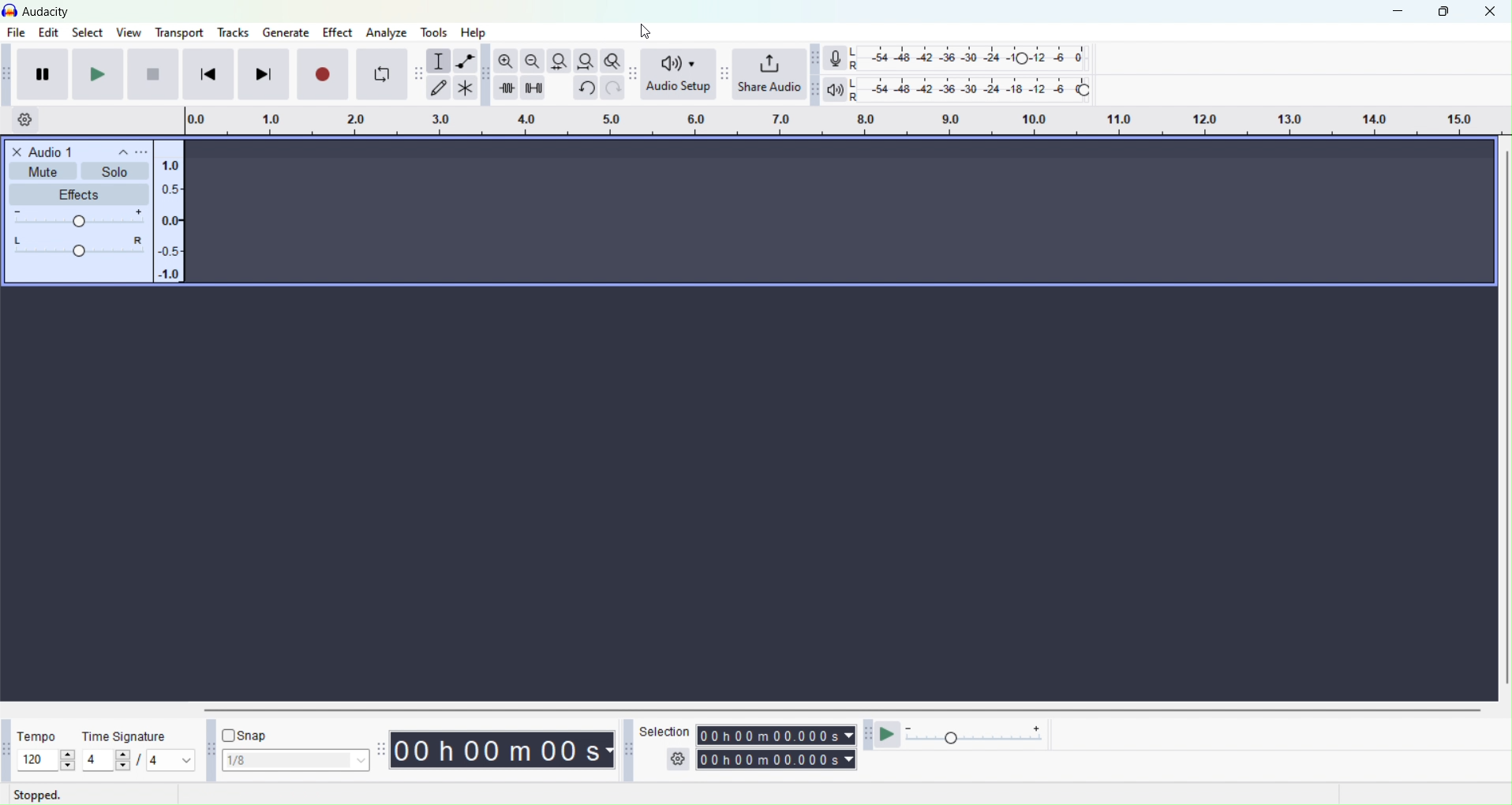 The image size is (1512, 805). What do you see at coordinates (742, 500) in the screenshot?
I see `current screen` at bounding box center [742, 500].